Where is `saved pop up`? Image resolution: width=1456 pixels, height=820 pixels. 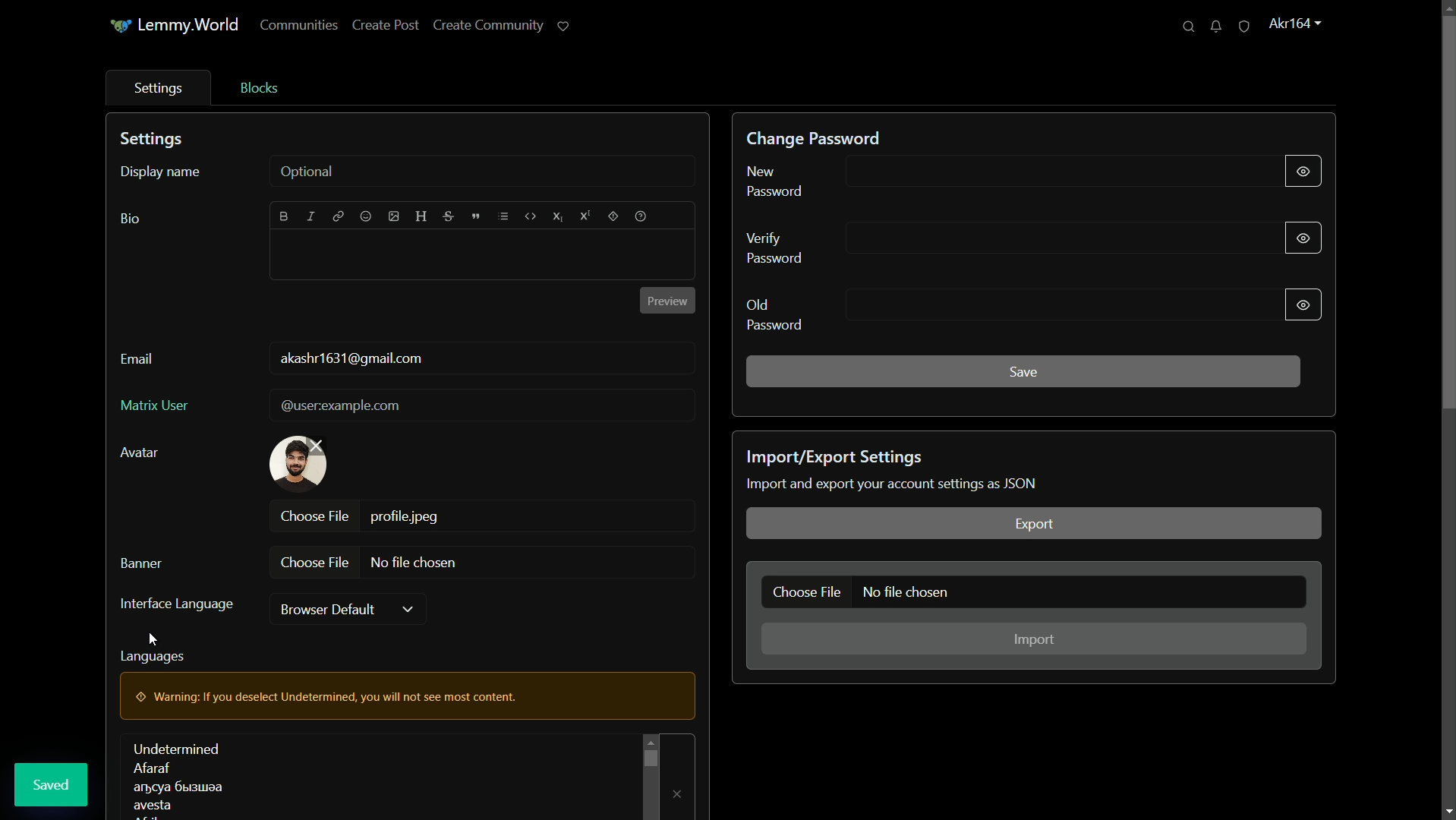 saved pop up is located at coordinates (52, 784).